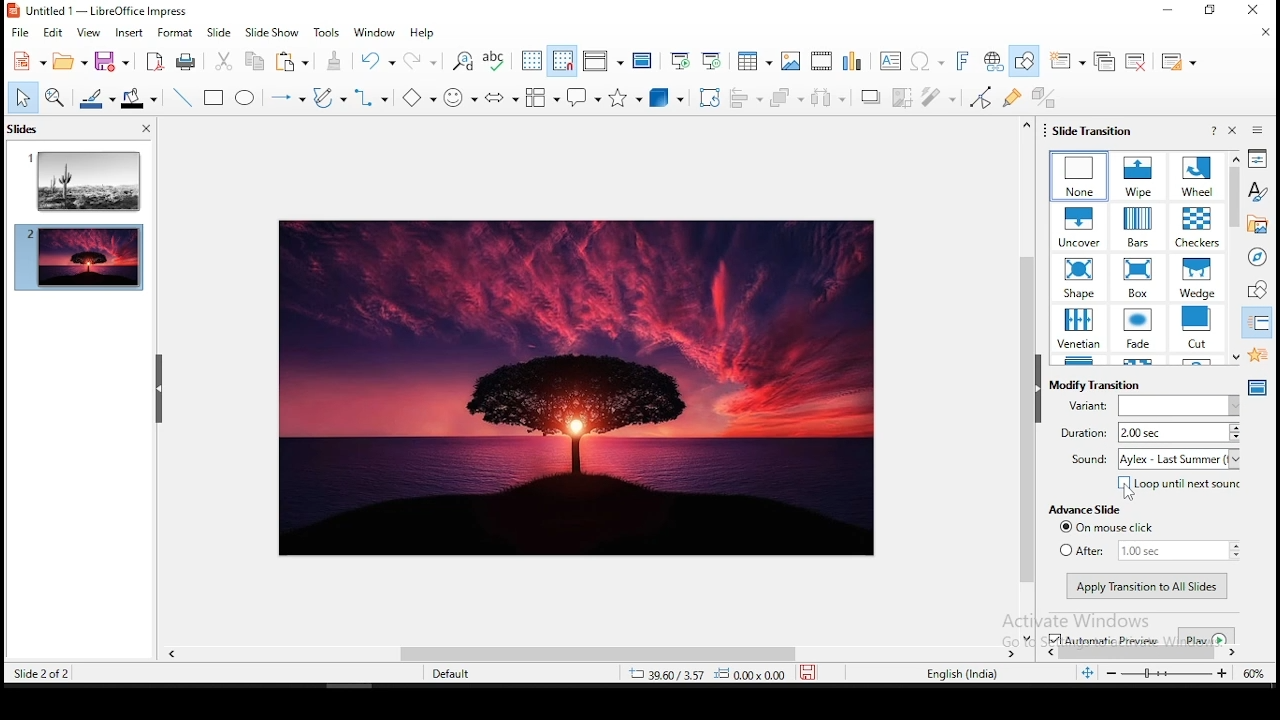 The width and height of the screenshot is (1280, 720). I want to click on crop image, so click(903, 97).